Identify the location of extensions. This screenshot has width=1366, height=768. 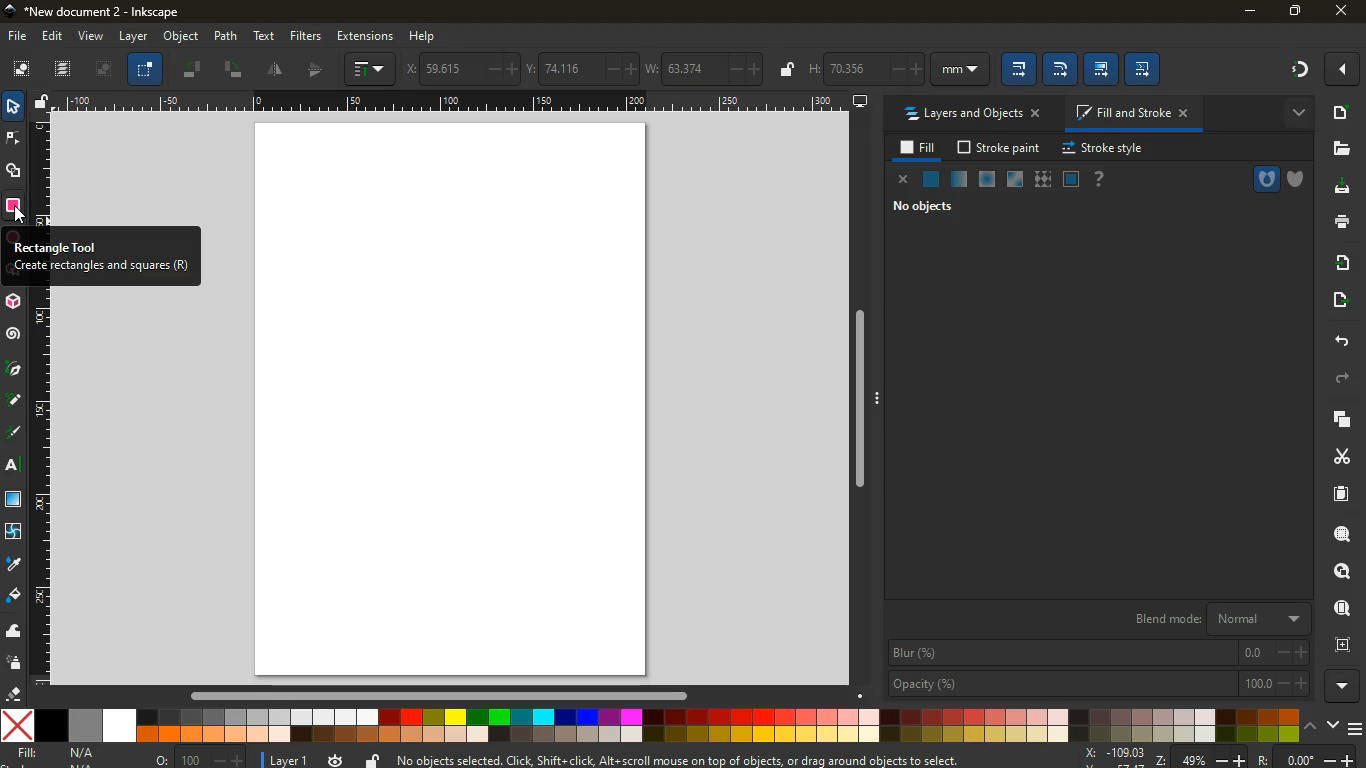
(365, 37).